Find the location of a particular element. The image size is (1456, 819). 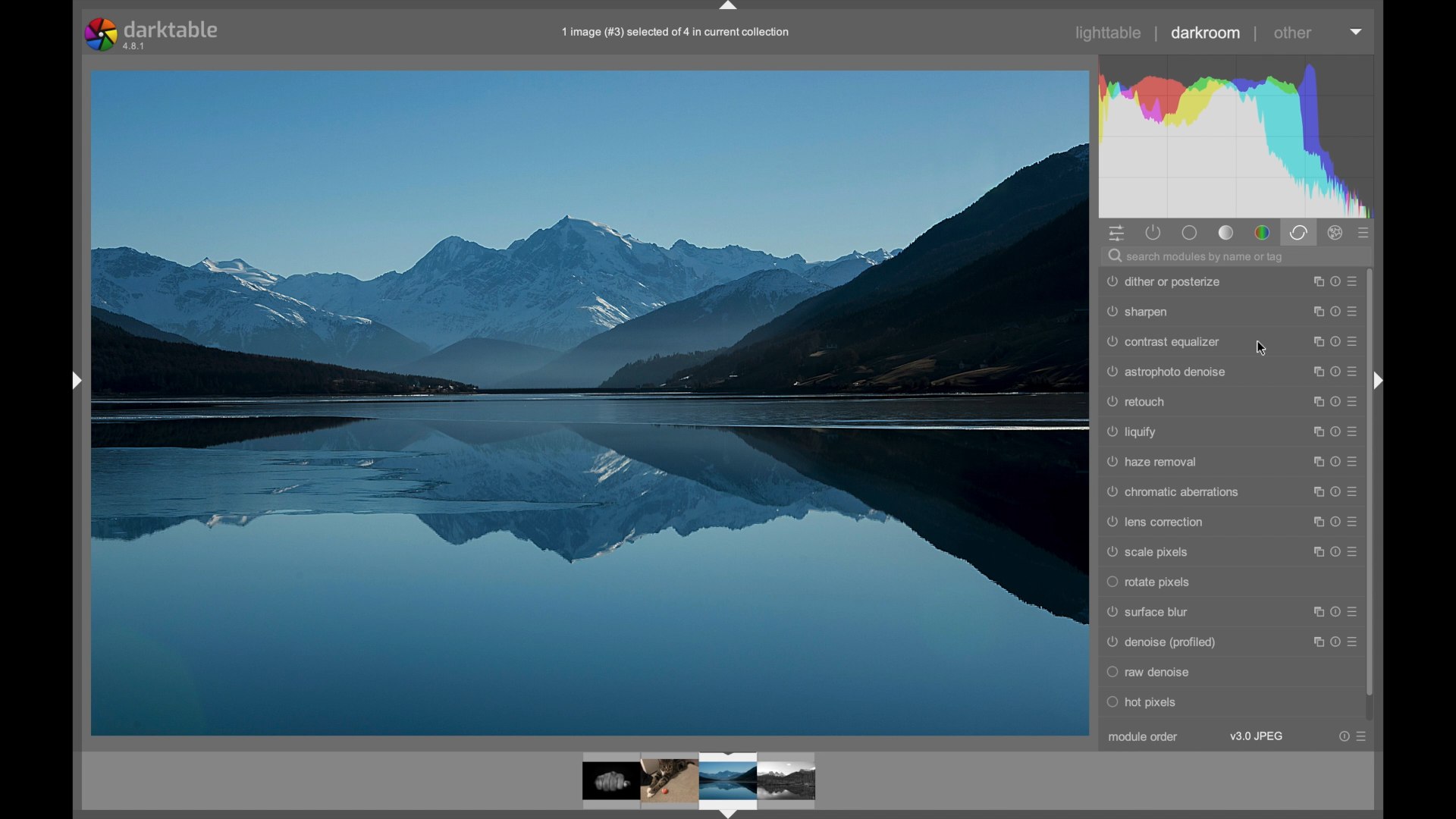

photo preview is located at coordinates (700, 782).